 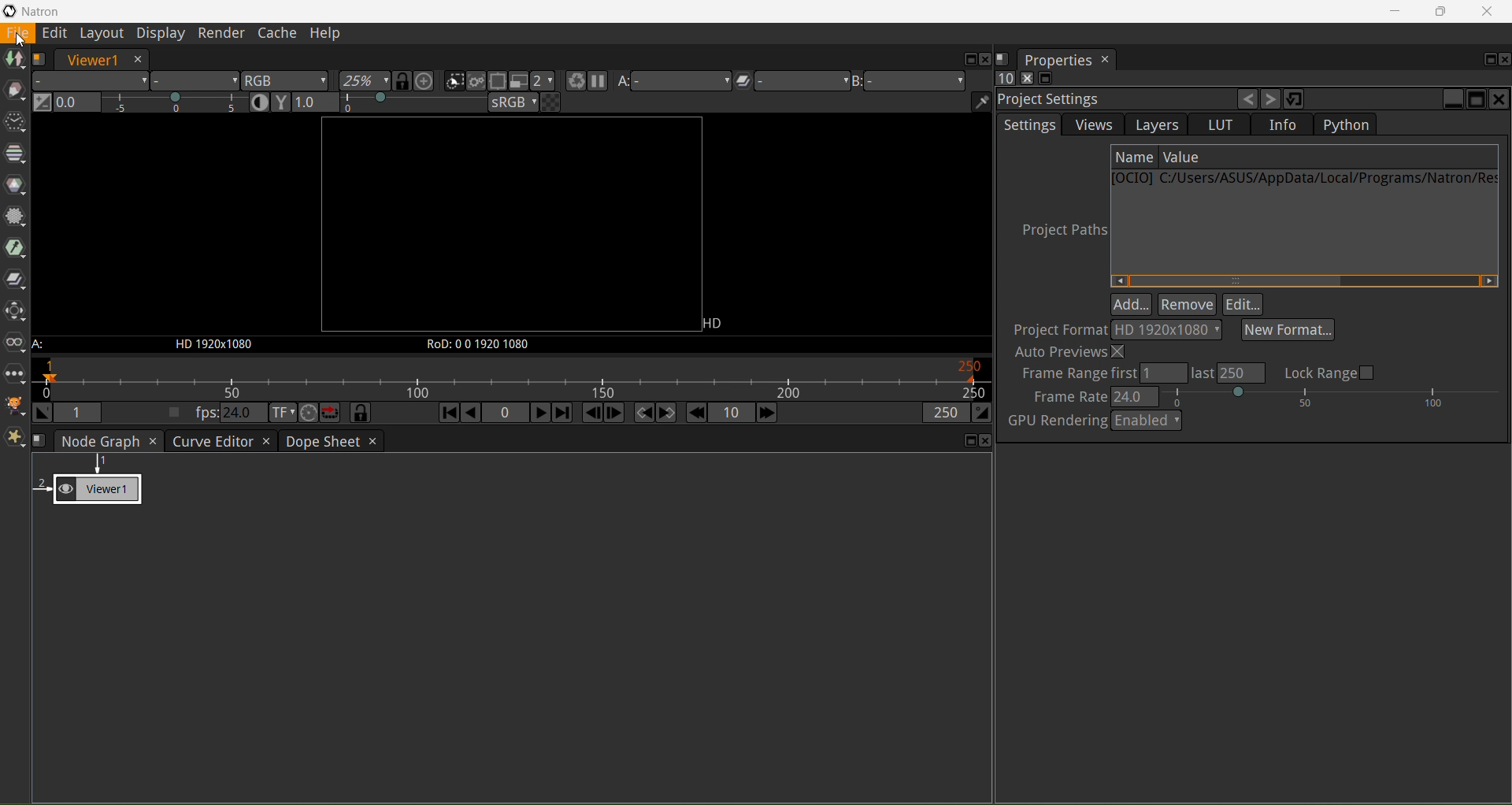 I want to click on Python, so click(x=1347, y=124).